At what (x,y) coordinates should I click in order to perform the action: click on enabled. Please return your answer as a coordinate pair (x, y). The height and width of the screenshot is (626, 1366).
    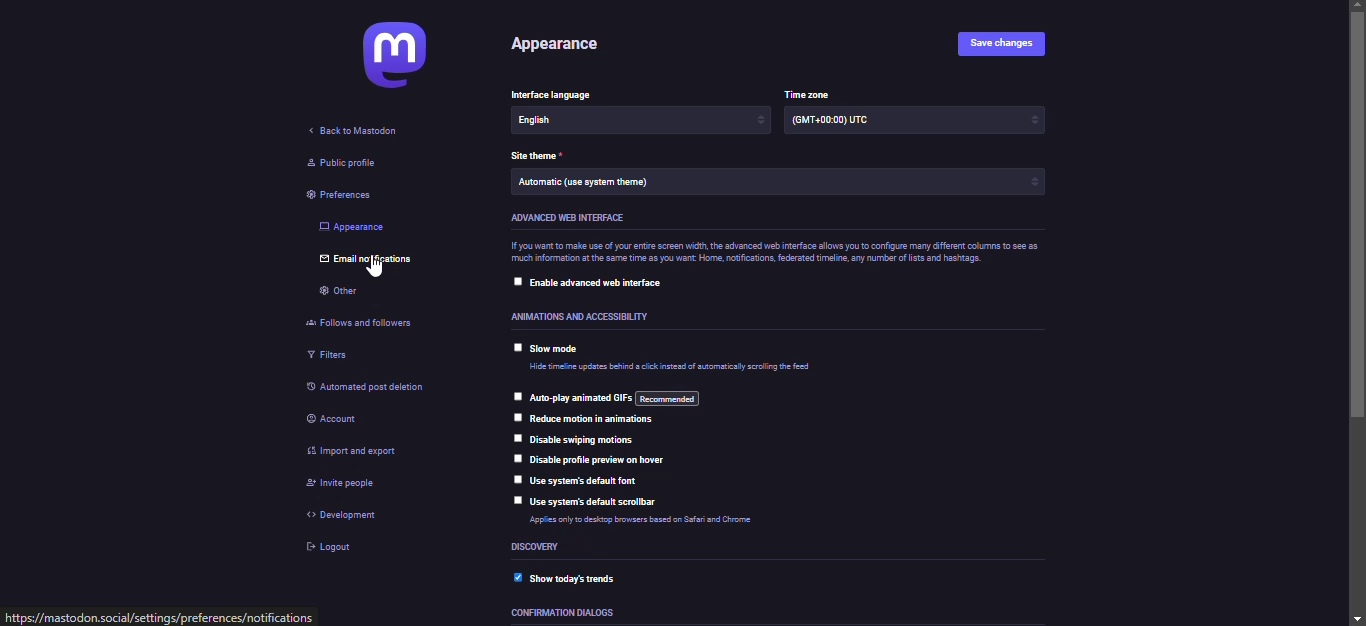
    Looking at the image, I should click on (513, 577).